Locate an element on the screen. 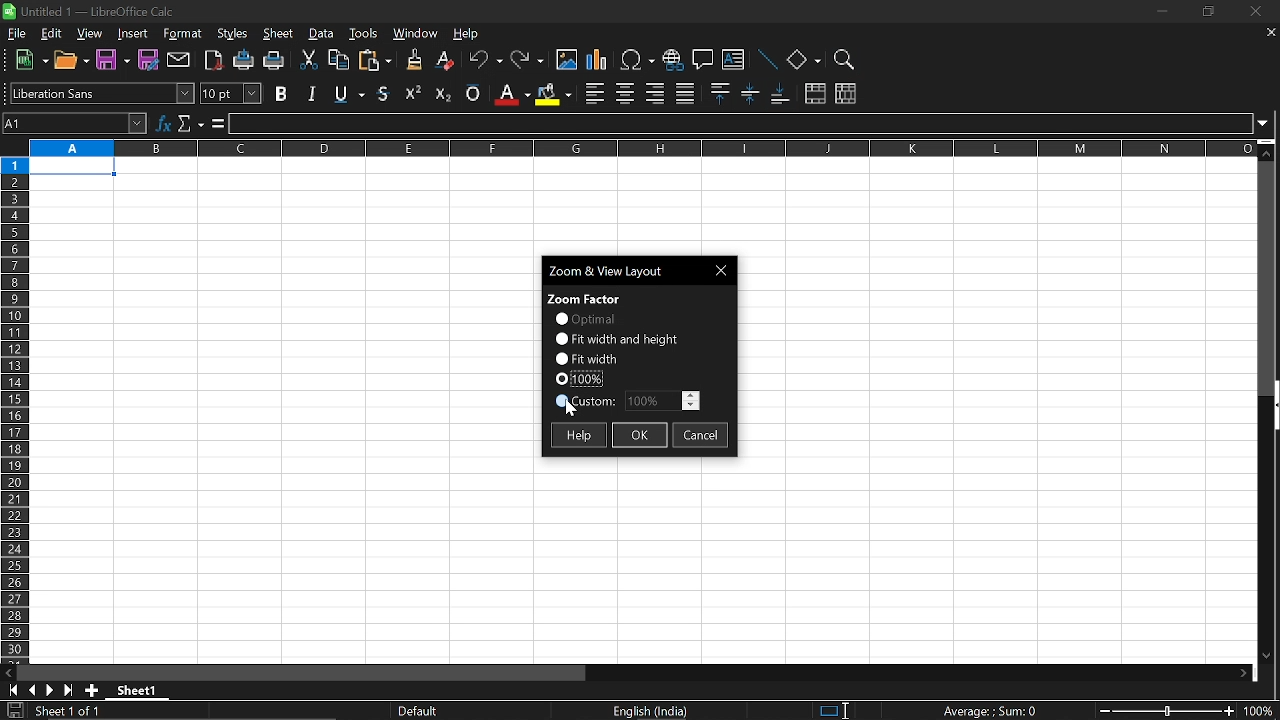 This screenshot has width=1280, height=720. sheet name is located at coordinates (142, 690).